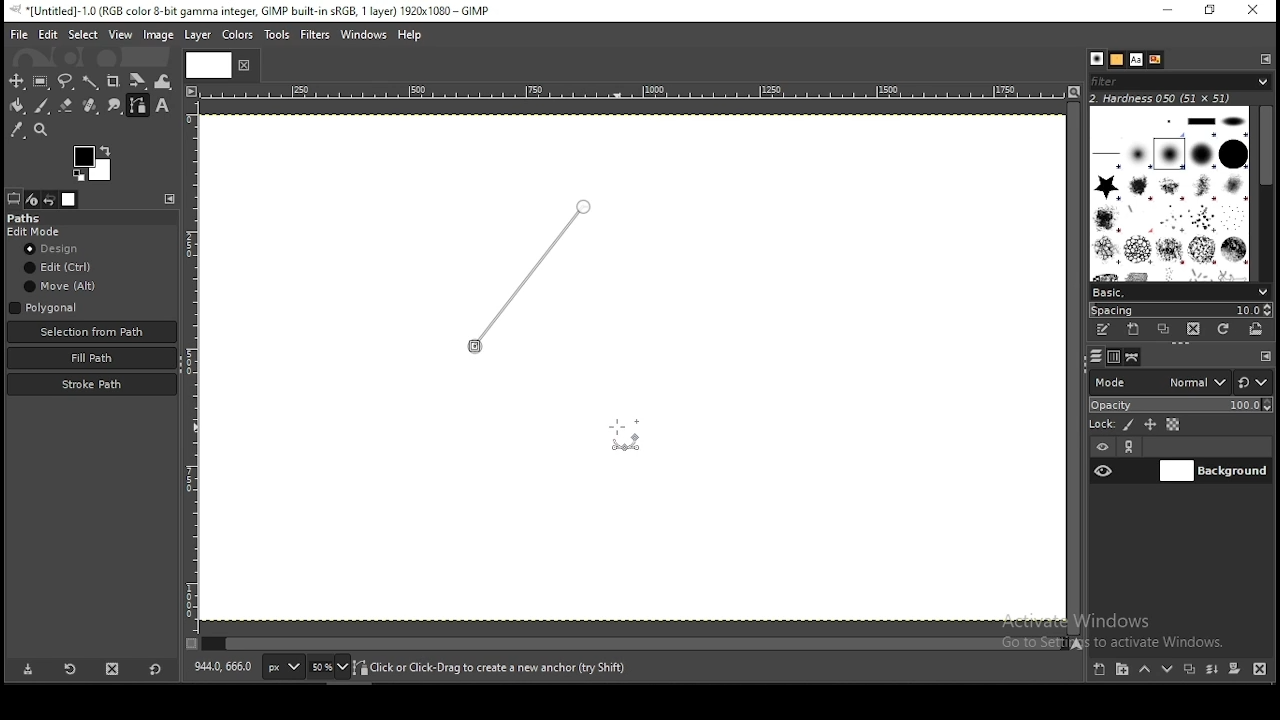  I want to click on layers, so click(1097, 356).